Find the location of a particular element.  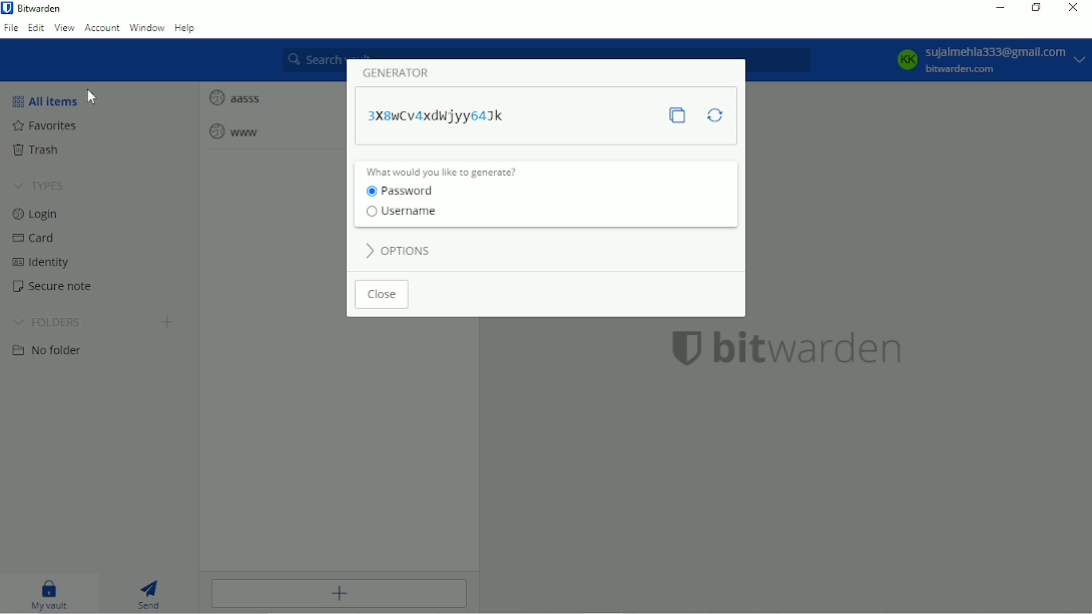

Trash is located at coordinates (40, 150).